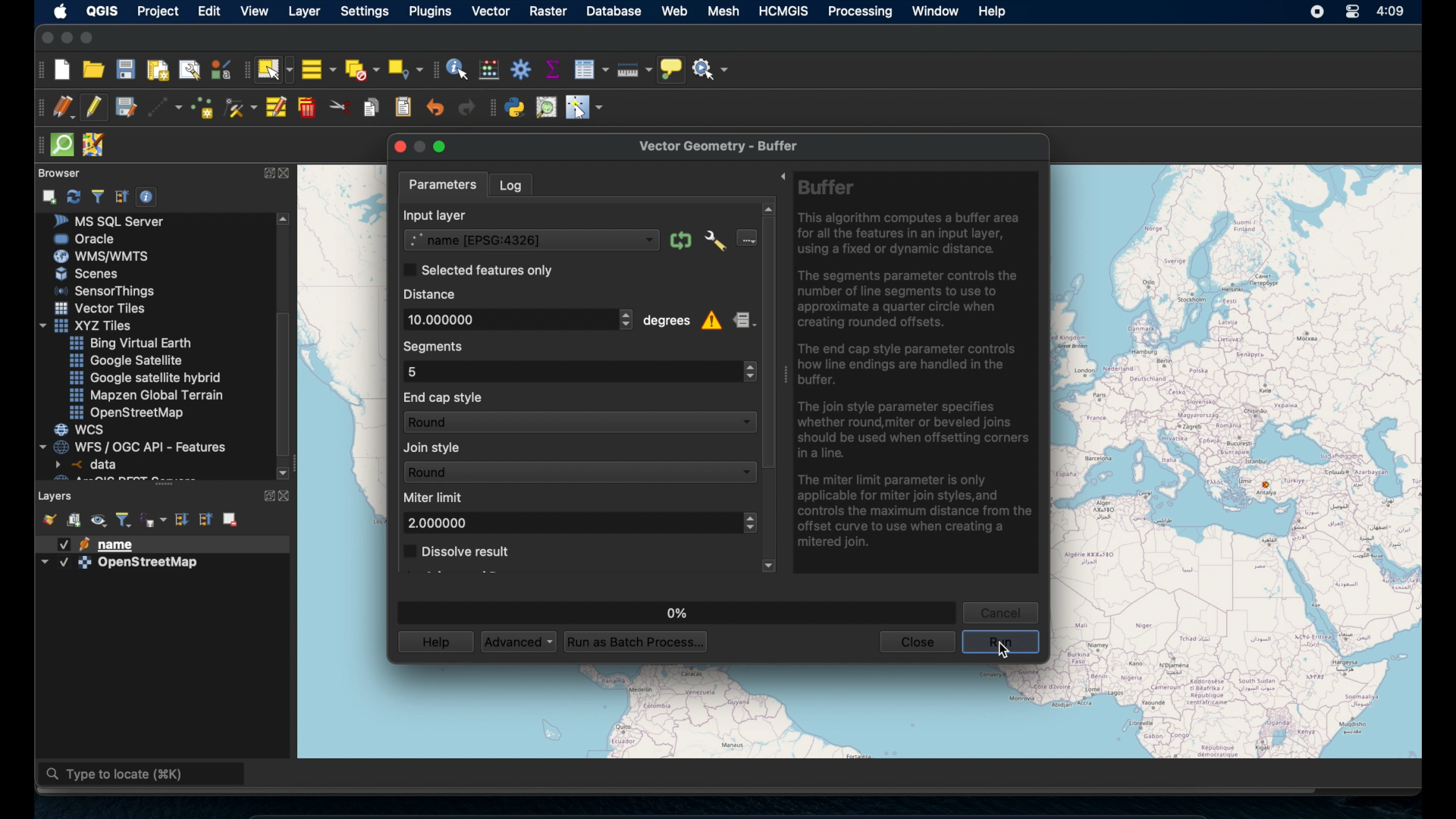 This screenshot has width=1456, height=819. I want to click on apple icon, so click(58, 11).